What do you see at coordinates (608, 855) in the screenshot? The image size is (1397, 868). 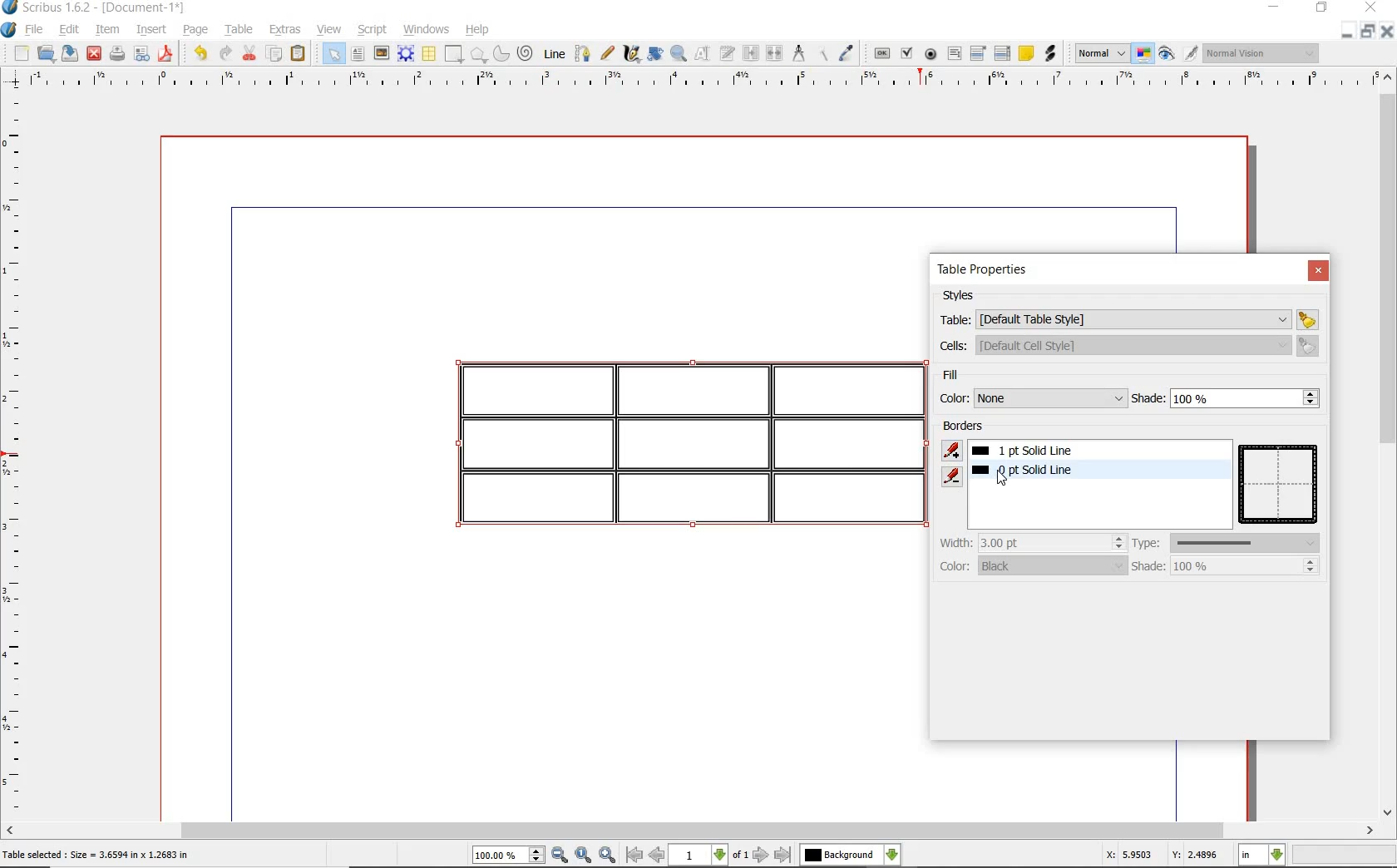 I see `zoom in` at bounding box center [608, 855].